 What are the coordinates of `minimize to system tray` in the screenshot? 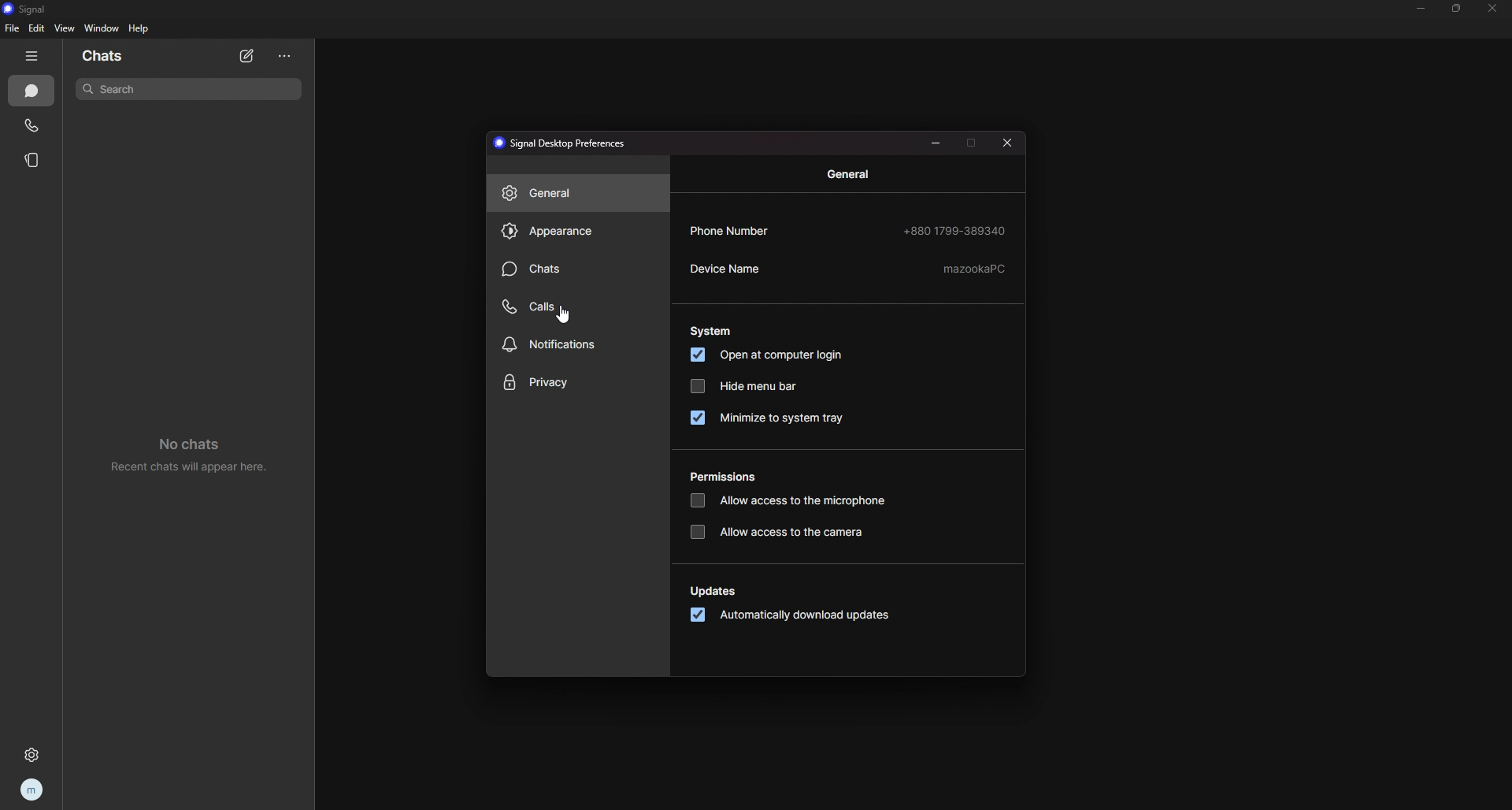 It's located at (780, 419).